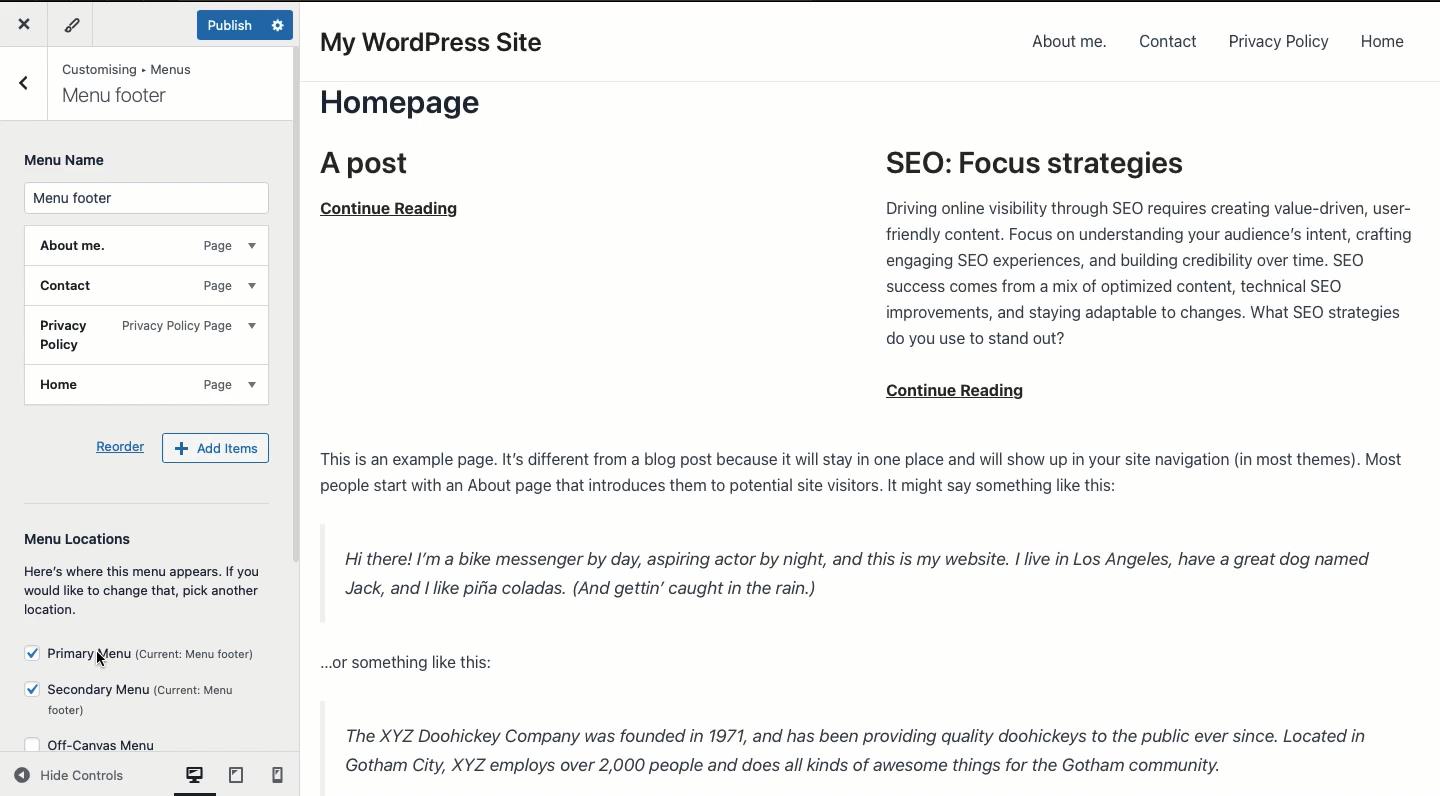 This screenshot has width=1440, height=796. Describe the element at coordinates (139, 82) in the screenshot. I see `You are customizing ` at that location.